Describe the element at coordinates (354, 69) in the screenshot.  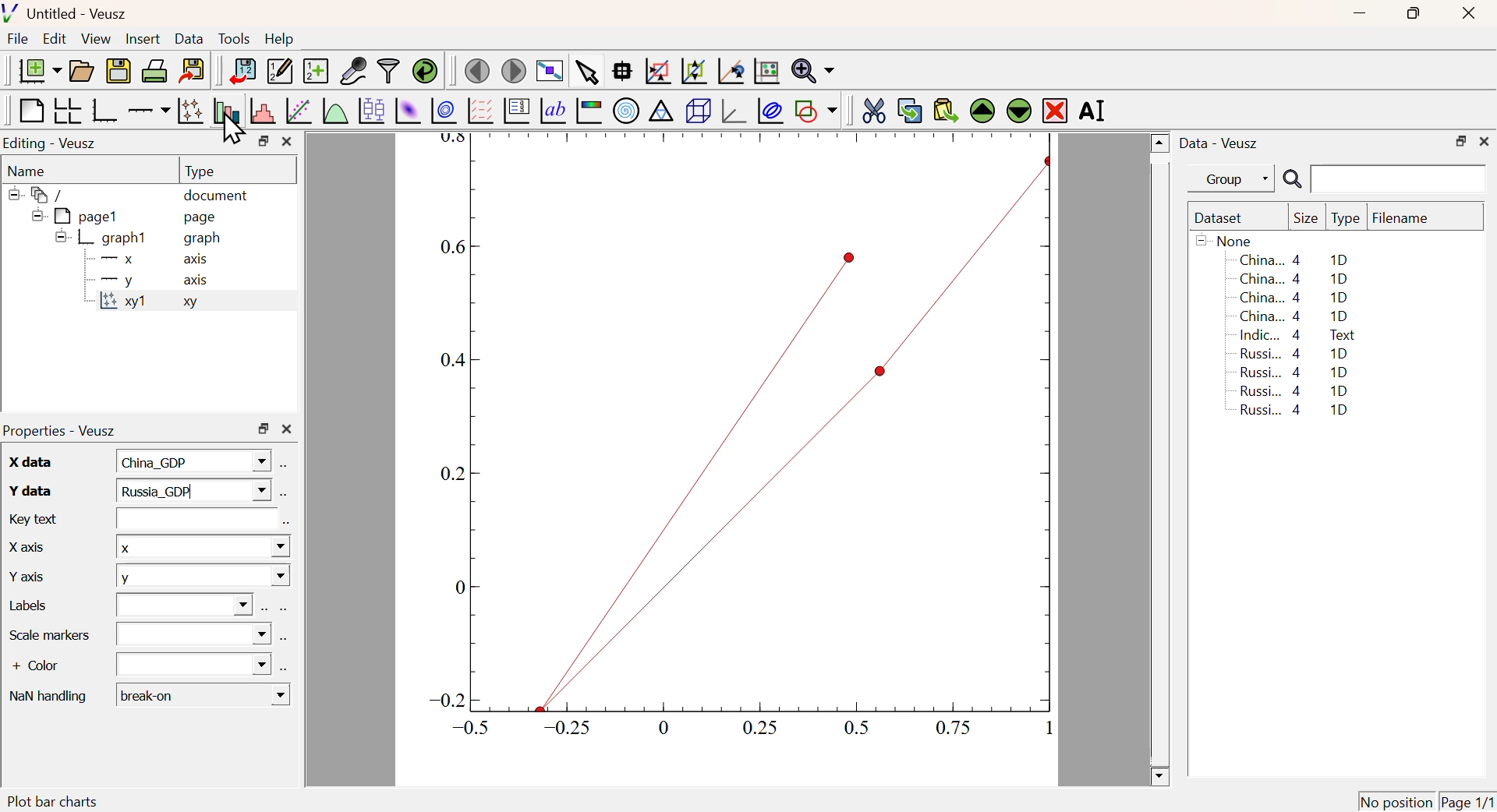
I see `Capture Remote Data` at that location.